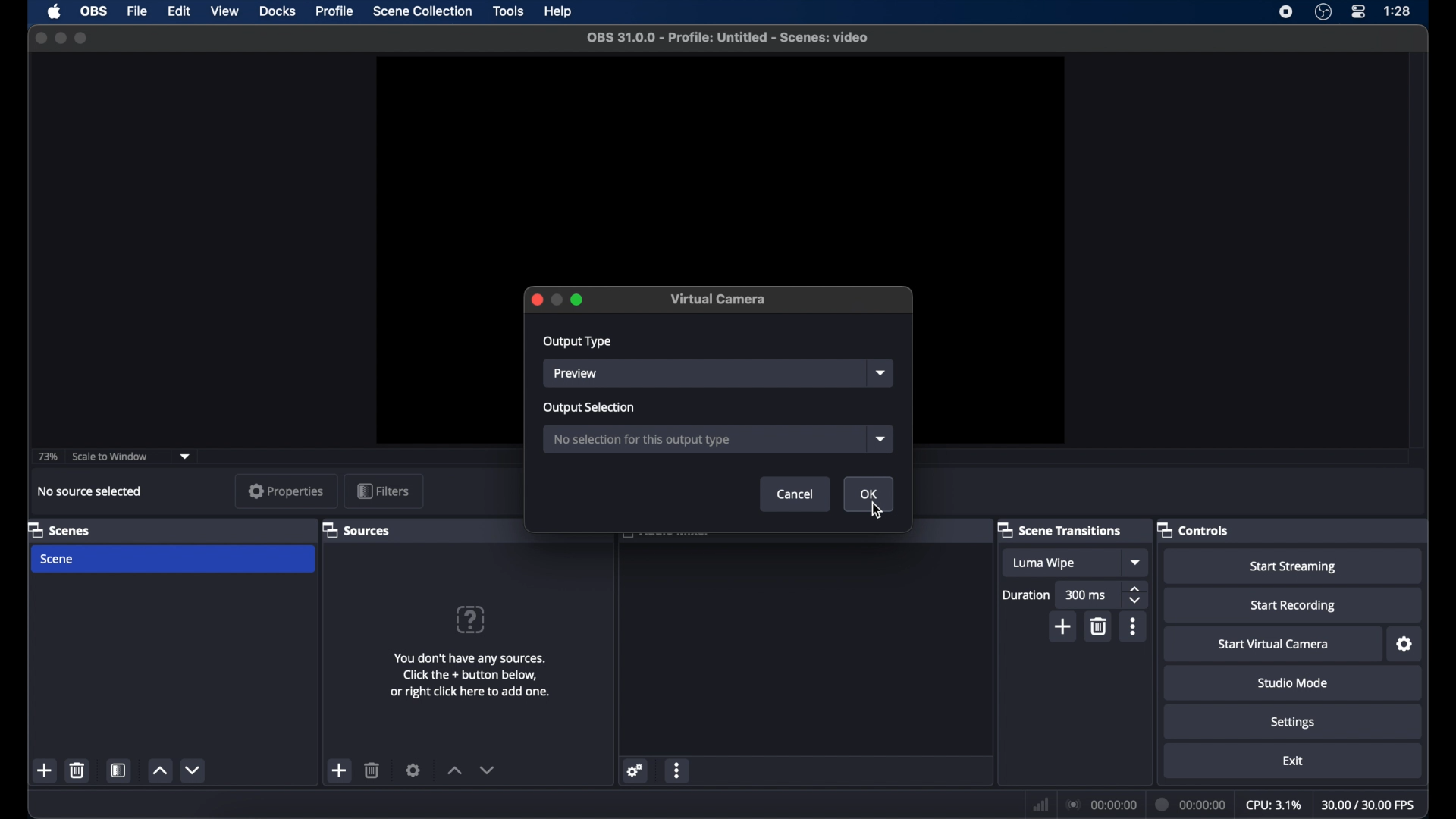 This screenshot has width=1456, height=819. What do you see at coordinates (591, 409) in the screenshot?
I see `output selection` at bounding box center [591, 409].